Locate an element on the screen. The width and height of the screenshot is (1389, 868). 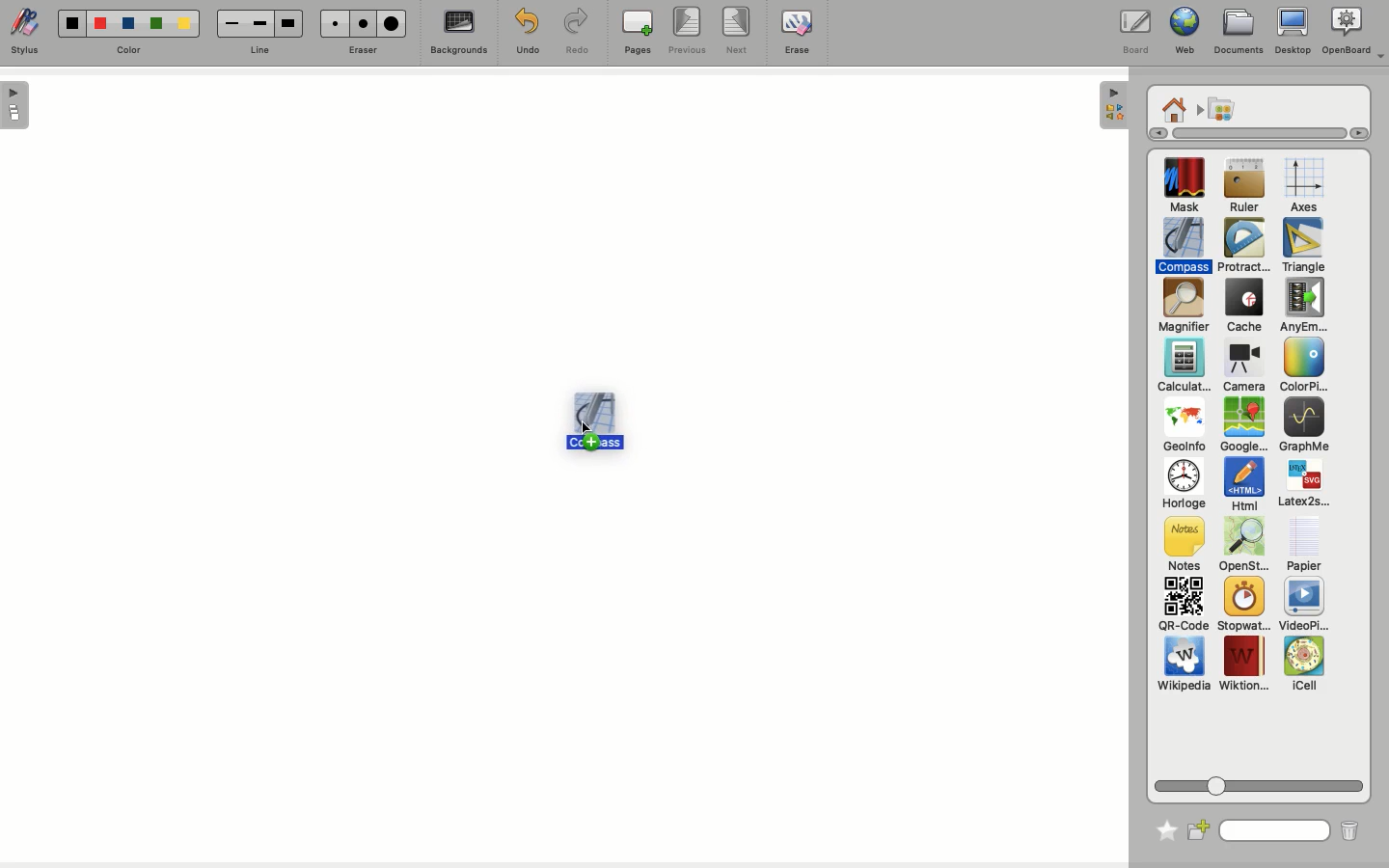
eraser3 is located at coordinates (393, 24).